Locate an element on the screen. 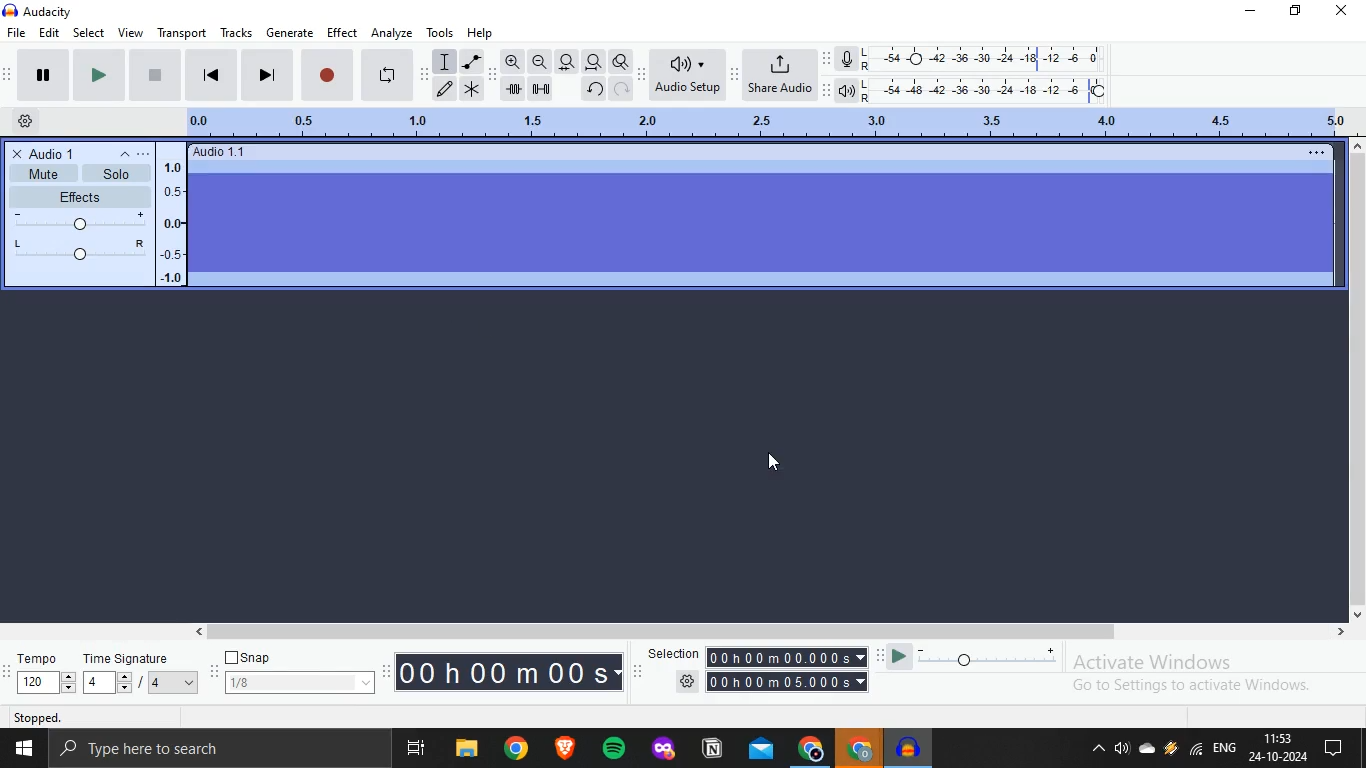 This screenshot has height=768, width=1366. View is located at coordinates (131, 32).